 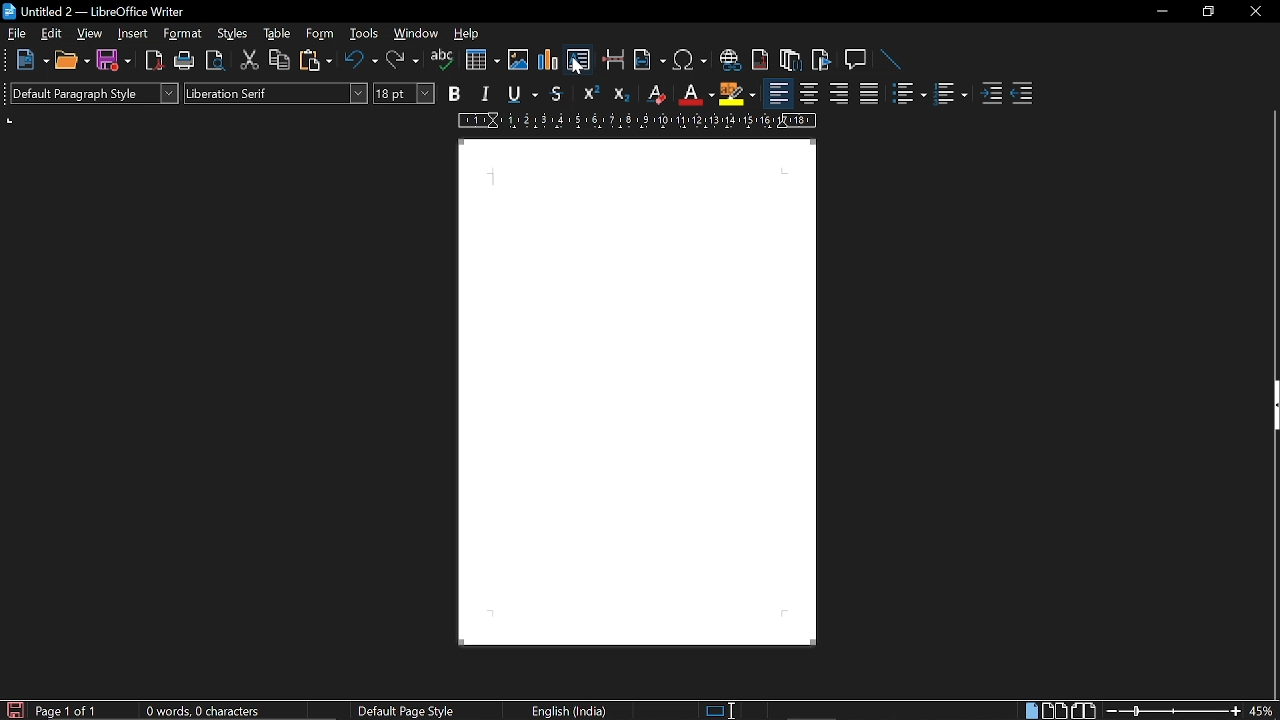 I want to click on insert line, so click(x=886, y=59).